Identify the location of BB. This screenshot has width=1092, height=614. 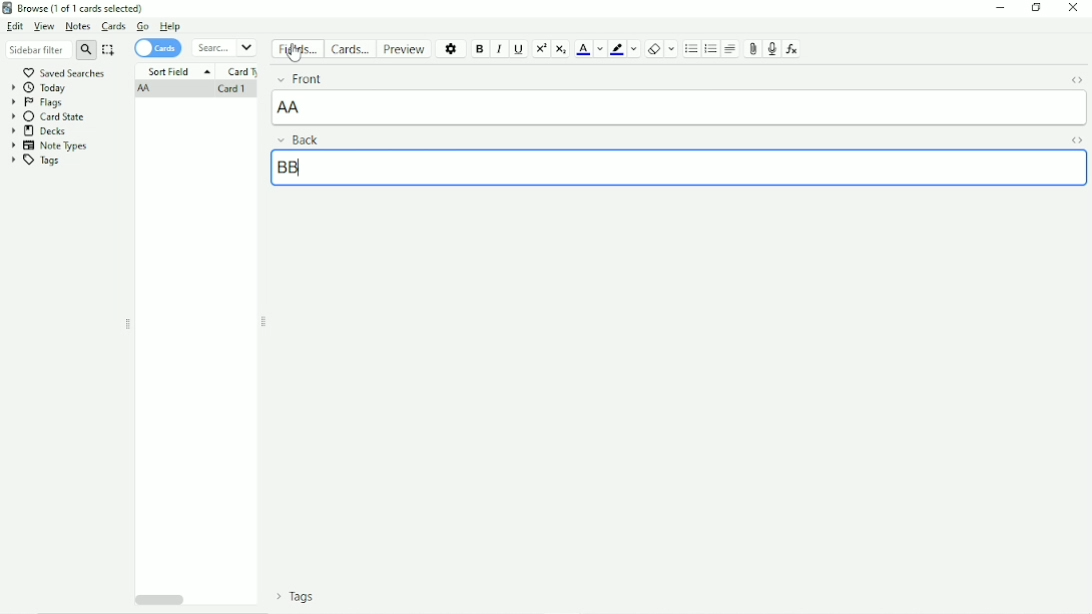
(288, 167).